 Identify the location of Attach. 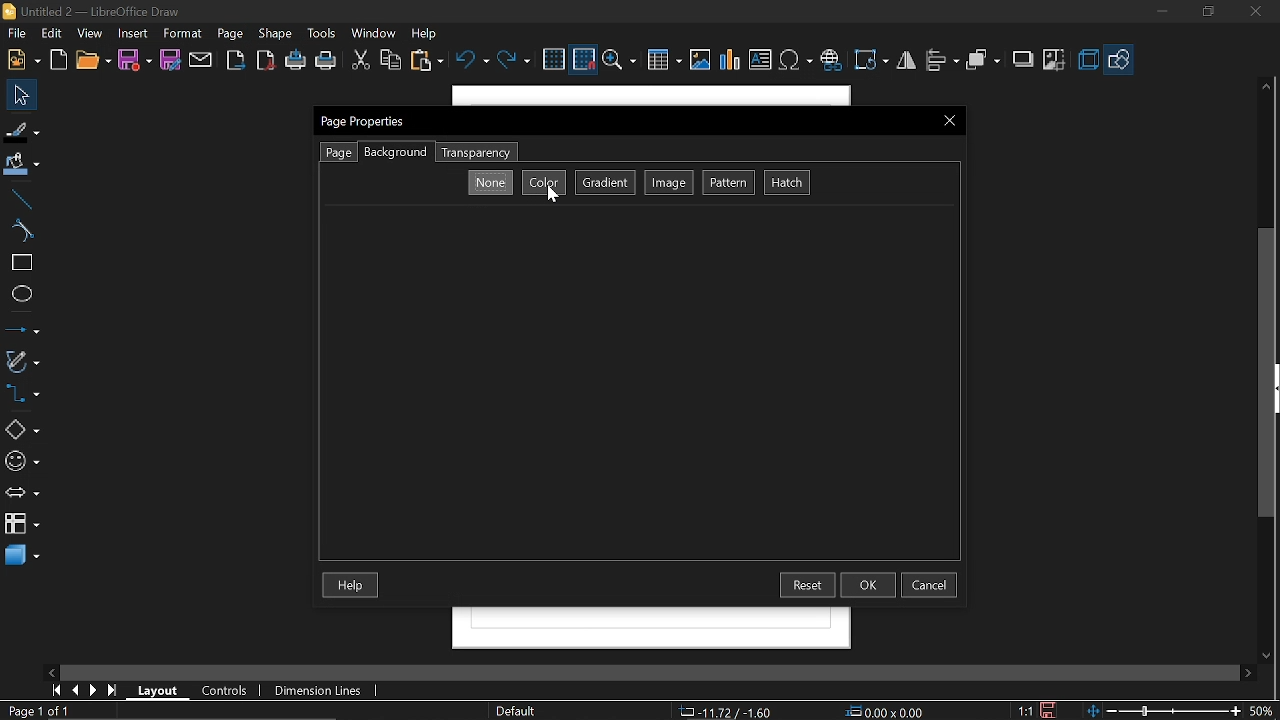
(202, 59).